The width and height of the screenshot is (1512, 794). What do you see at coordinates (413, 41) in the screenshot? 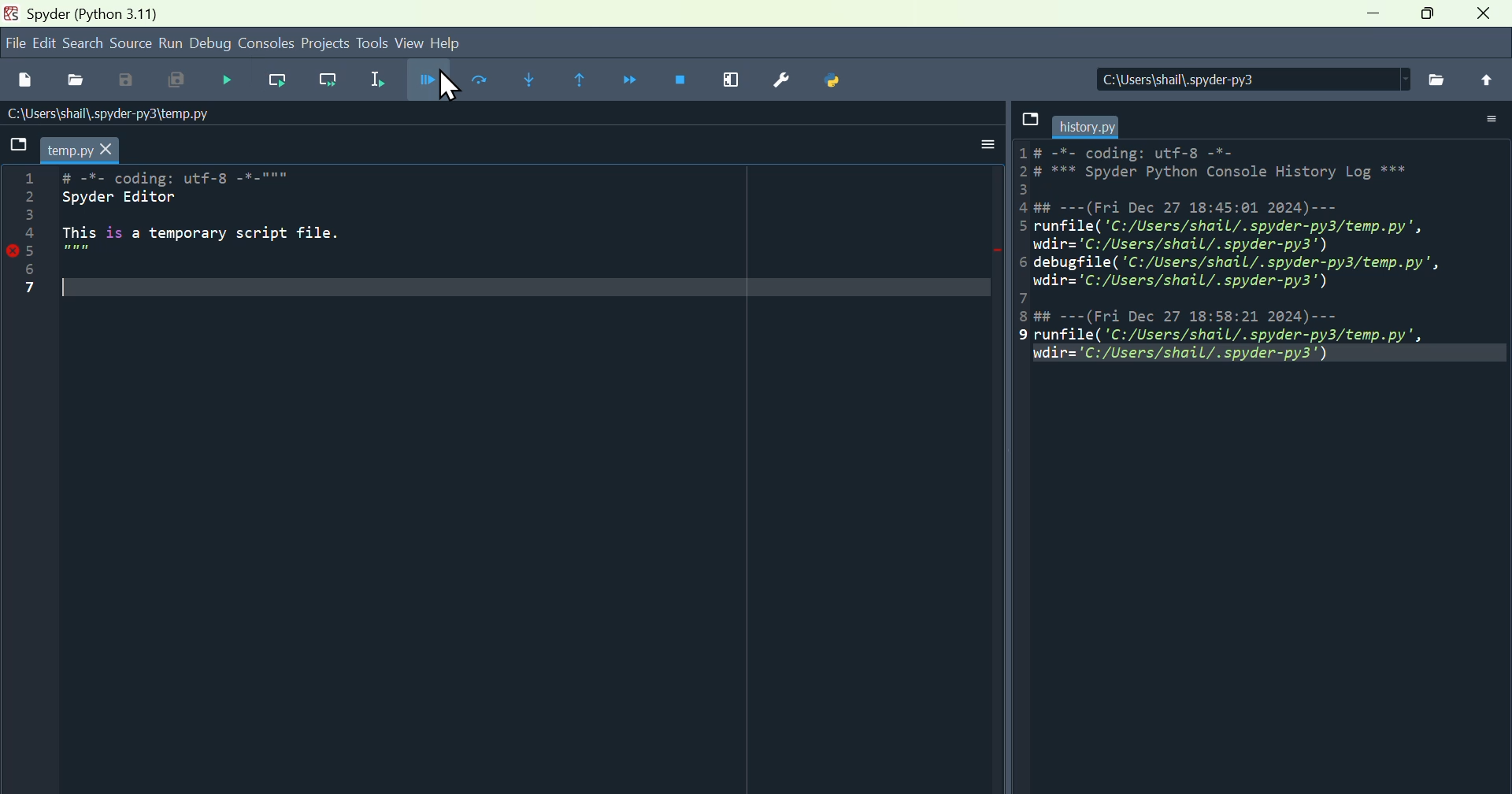
I see `View` at bounding box center [413, 41].